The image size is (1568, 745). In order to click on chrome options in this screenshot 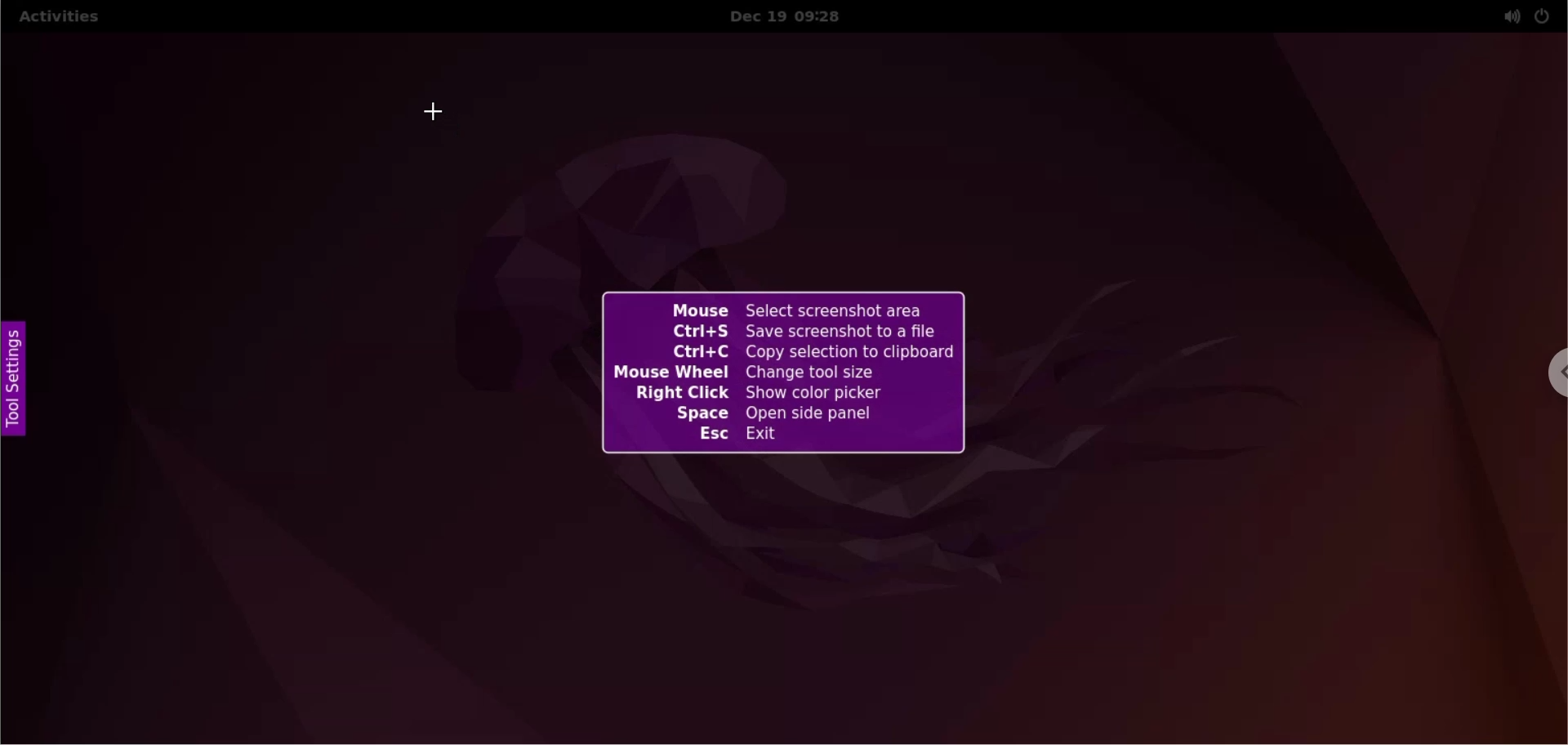, I will do `click(1549, 374)`.